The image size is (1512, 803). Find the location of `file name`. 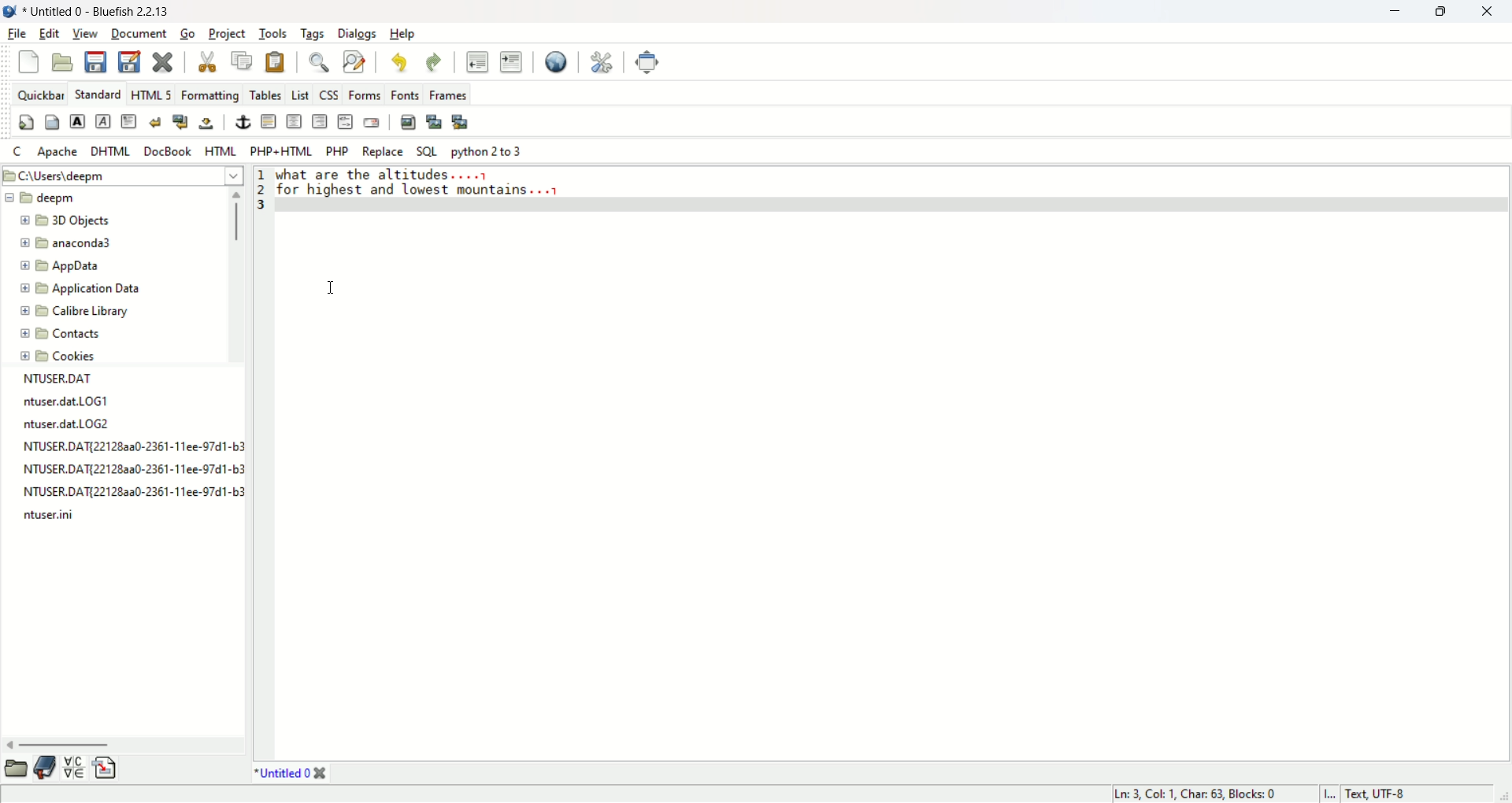

file name is located at coordinates (55, 519).